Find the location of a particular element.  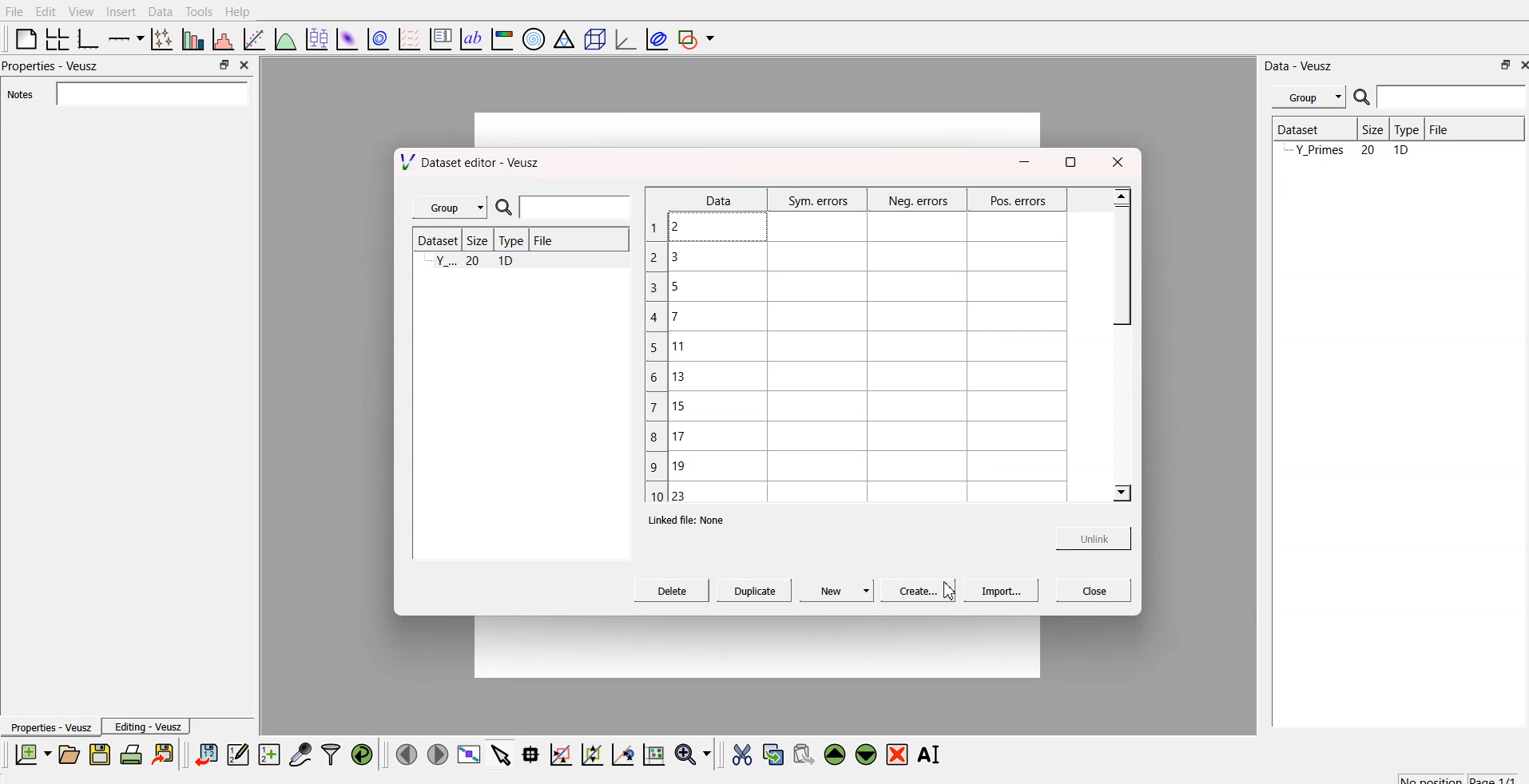

cut the widget is located at coordinates (738, 754).